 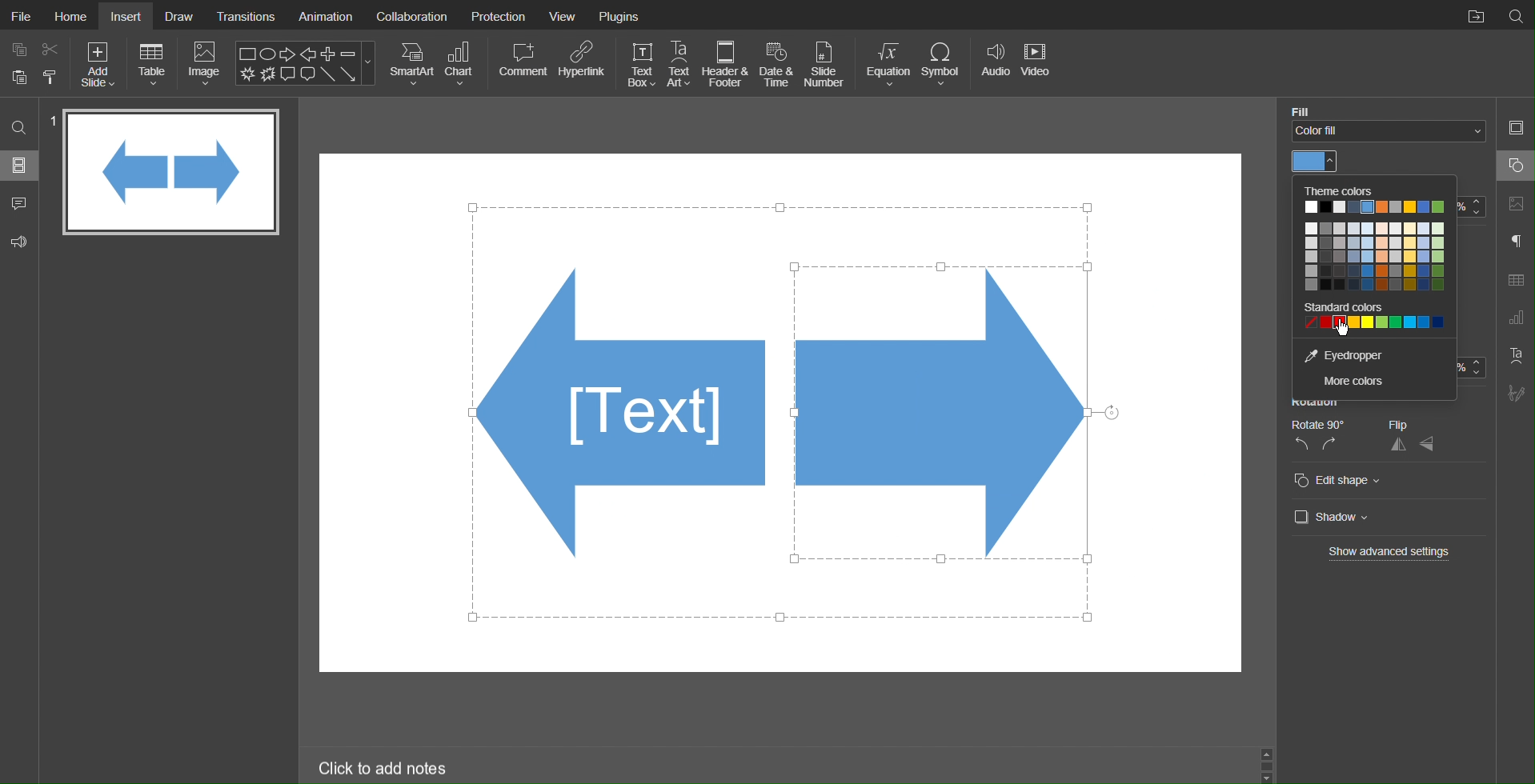 I want to click on down, so click(x=1269, y=775).